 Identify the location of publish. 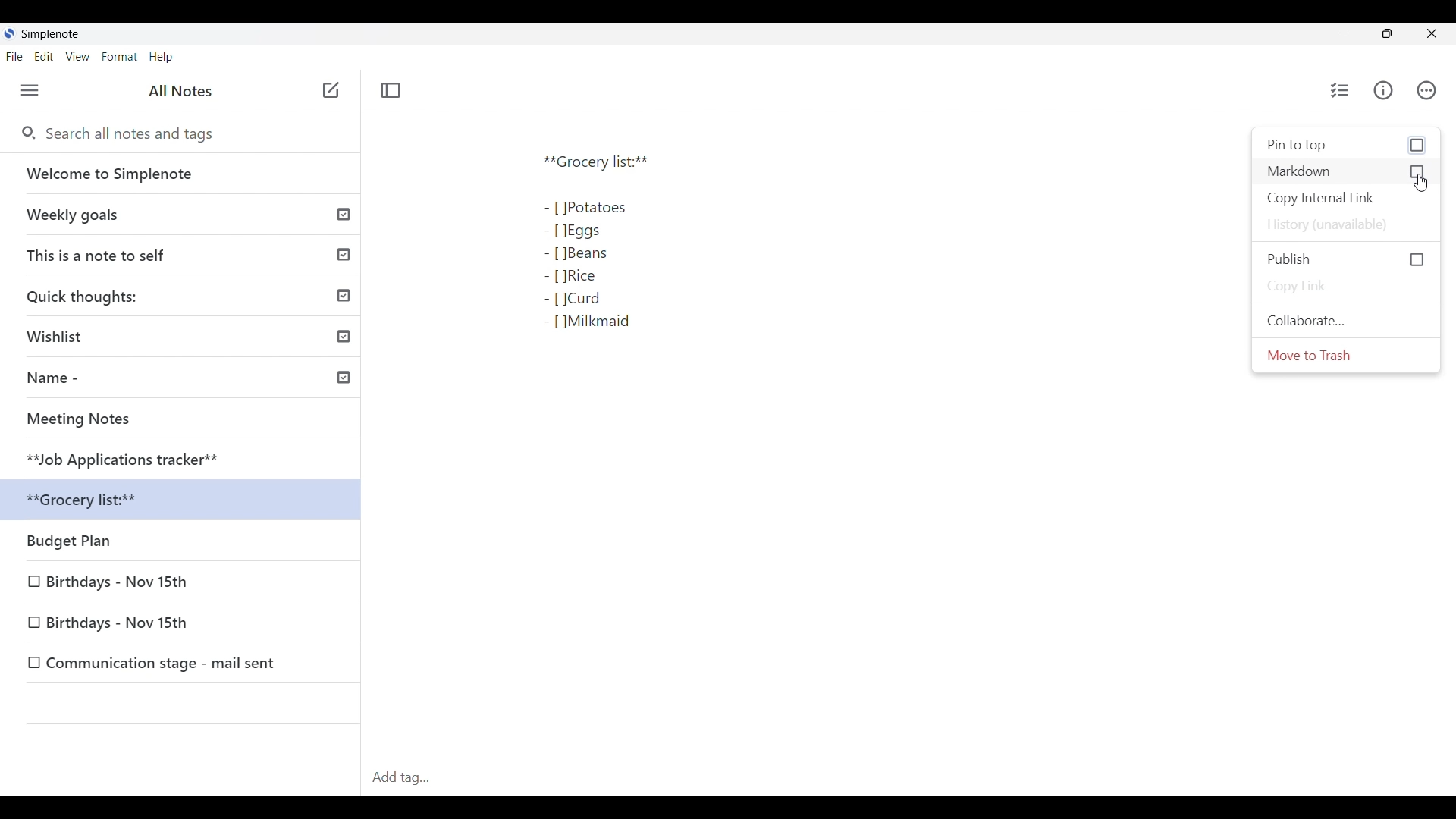
(1348, 259).